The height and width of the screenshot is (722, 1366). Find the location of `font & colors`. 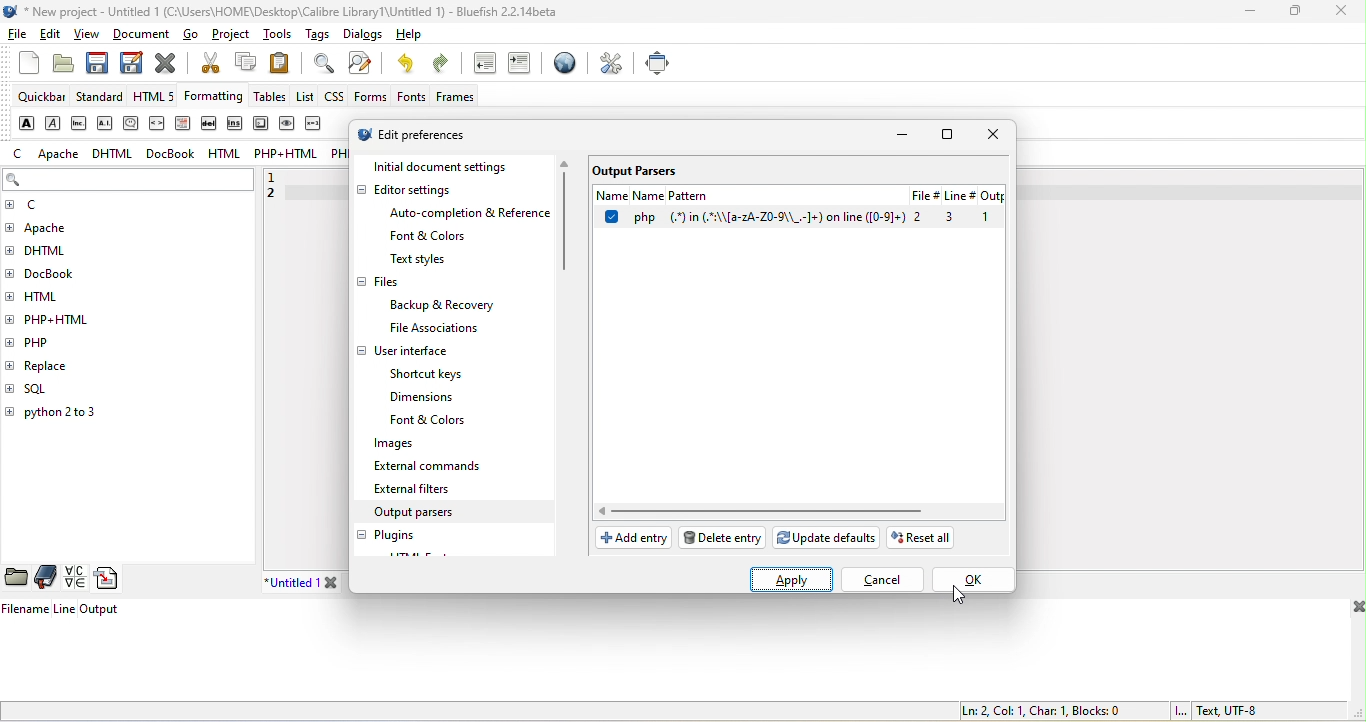

font & colors is located at coordinates (439, 421).